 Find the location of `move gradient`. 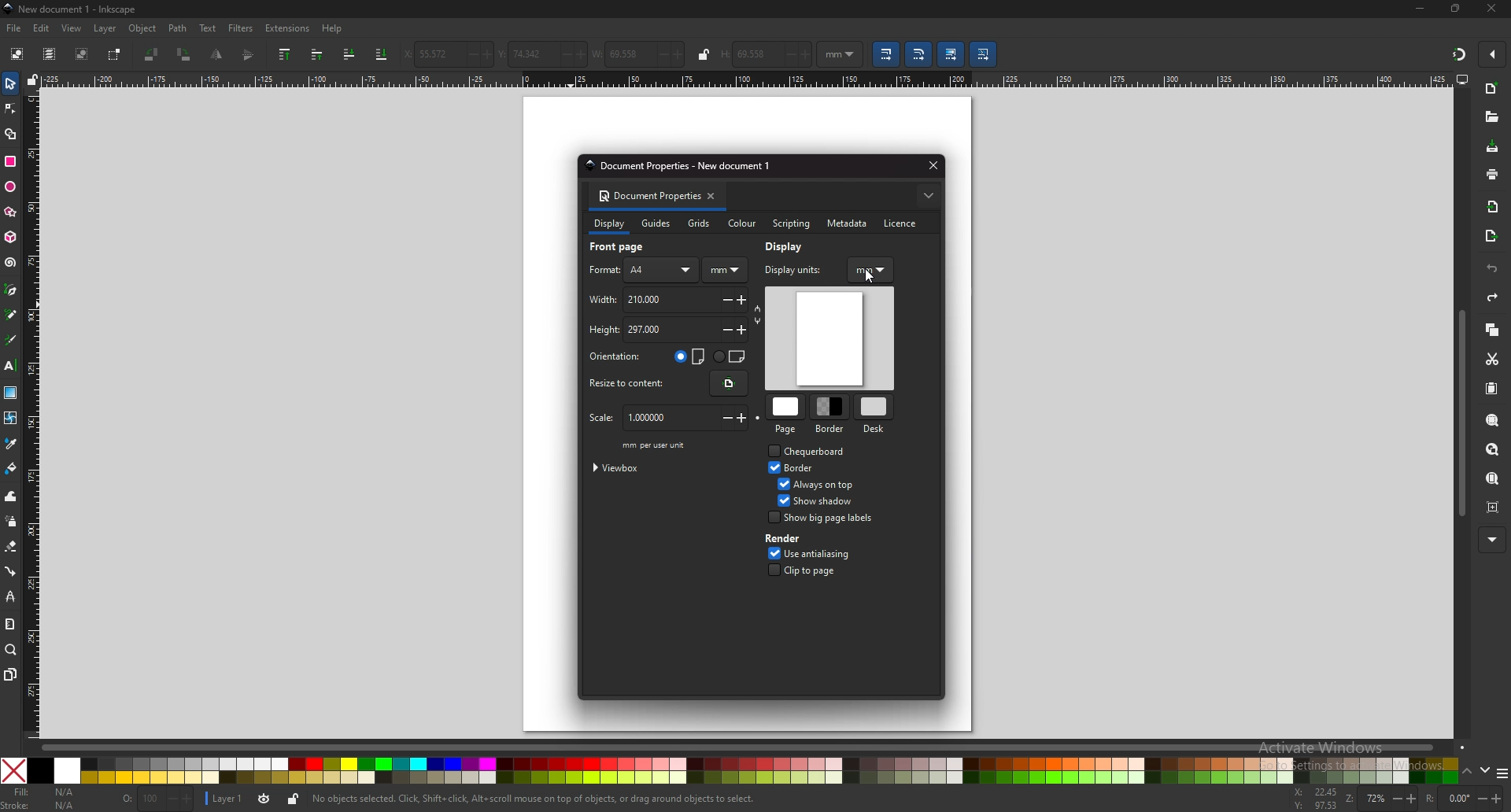

move gradient is located at coordinates (952, 54).